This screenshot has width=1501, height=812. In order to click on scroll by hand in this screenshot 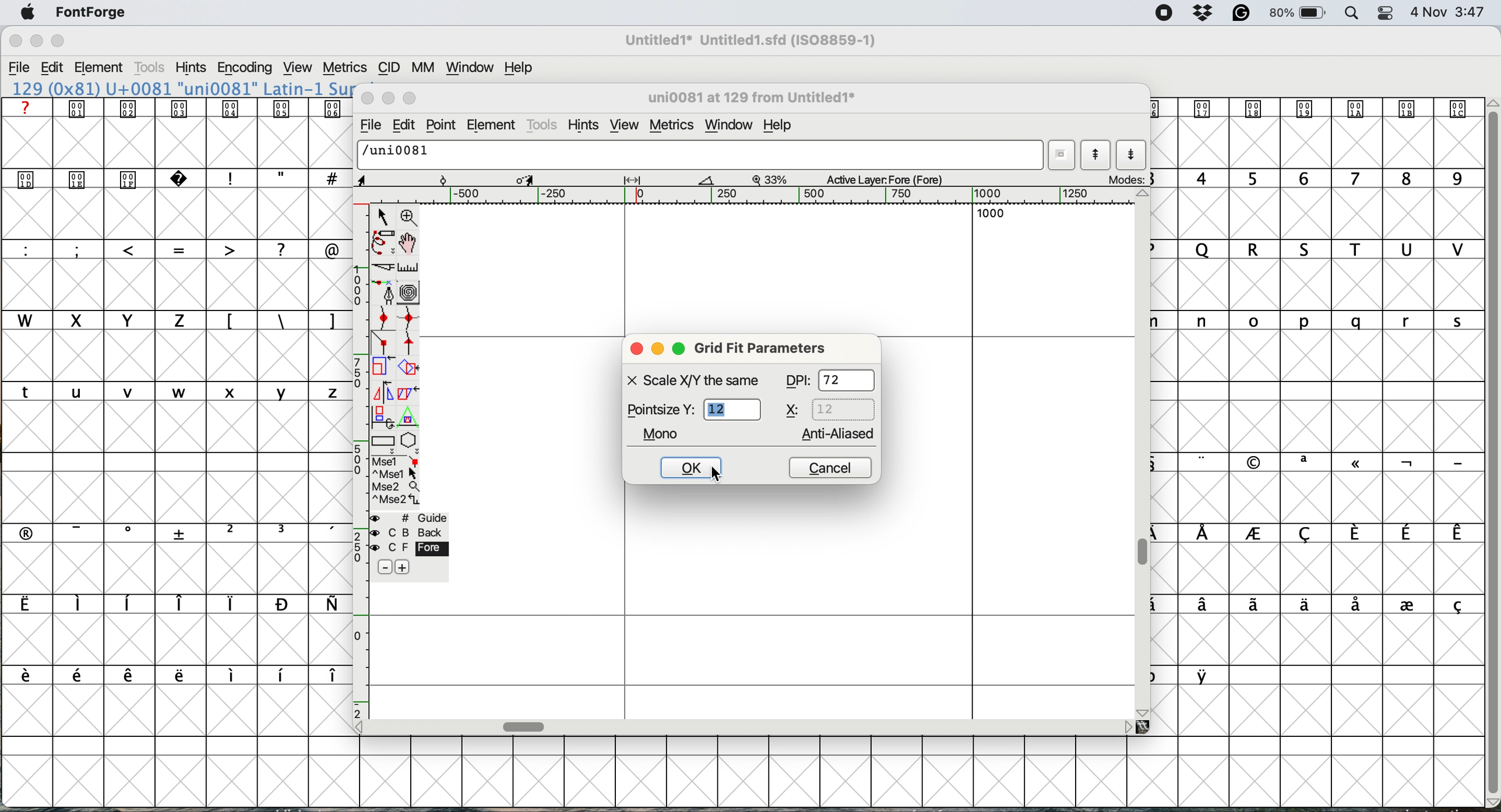, I will do `click(407, 242)`.